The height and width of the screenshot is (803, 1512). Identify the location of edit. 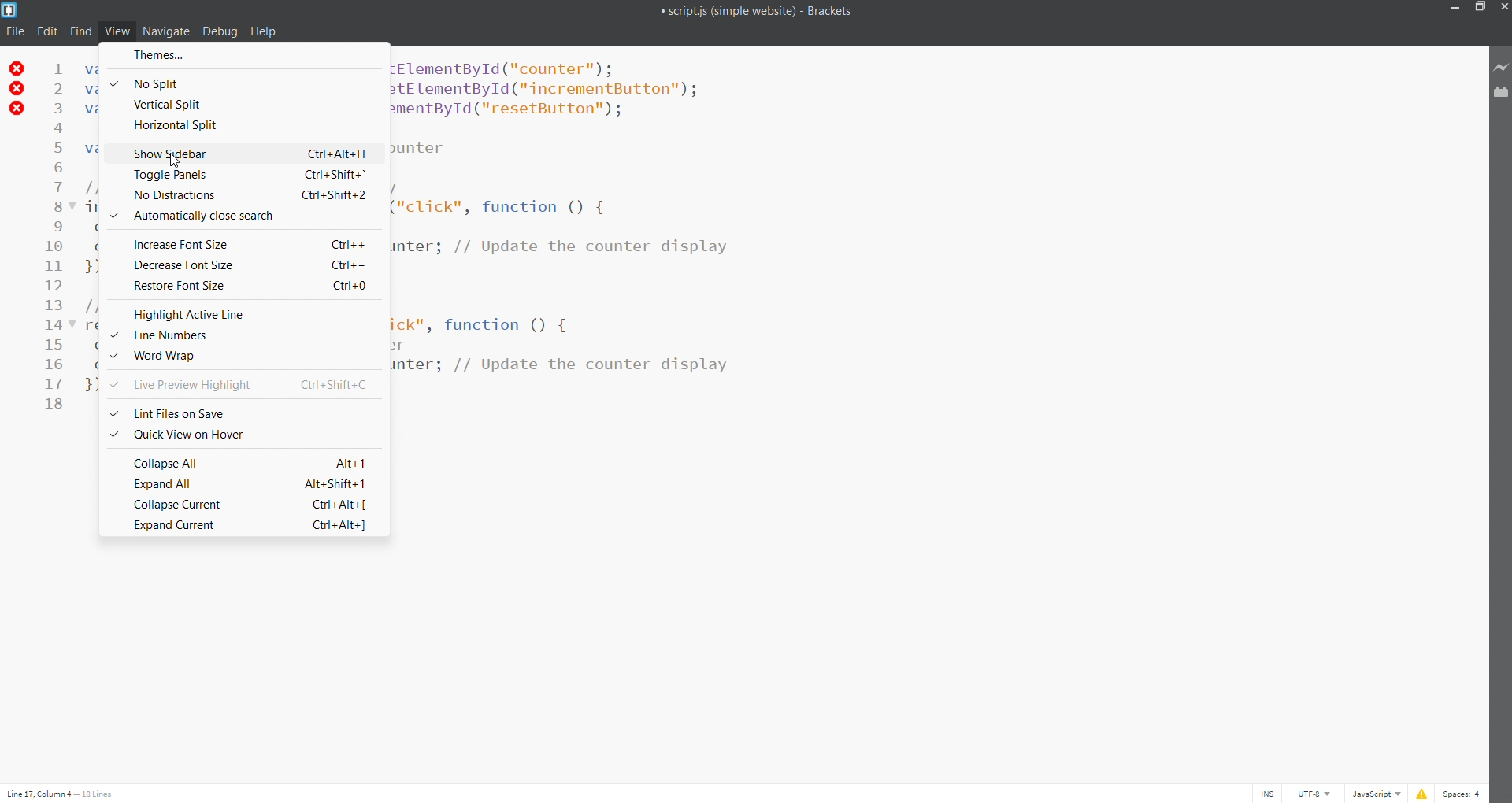
(47, 31).